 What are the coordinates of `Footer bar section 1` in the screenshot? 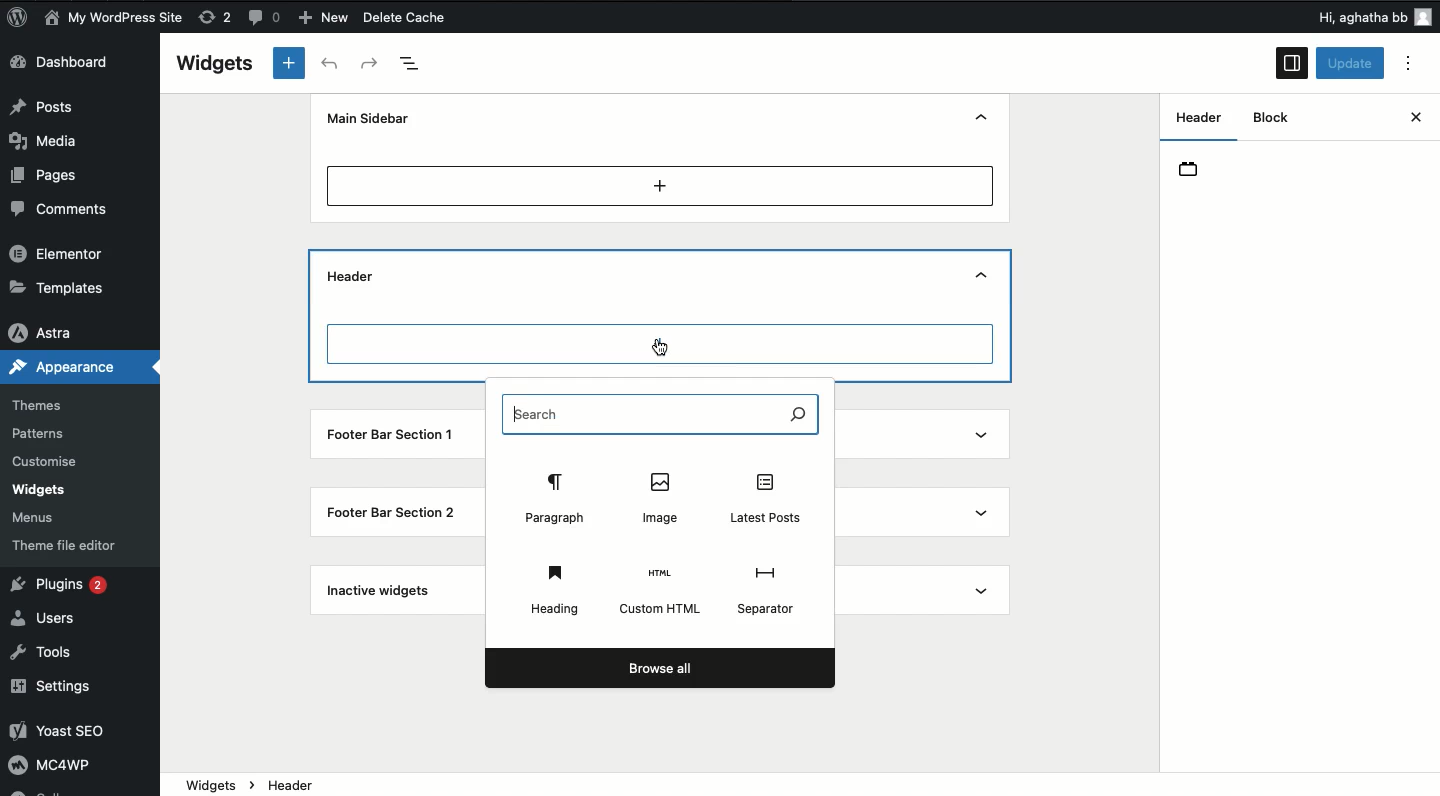 It's located at (393, 436).